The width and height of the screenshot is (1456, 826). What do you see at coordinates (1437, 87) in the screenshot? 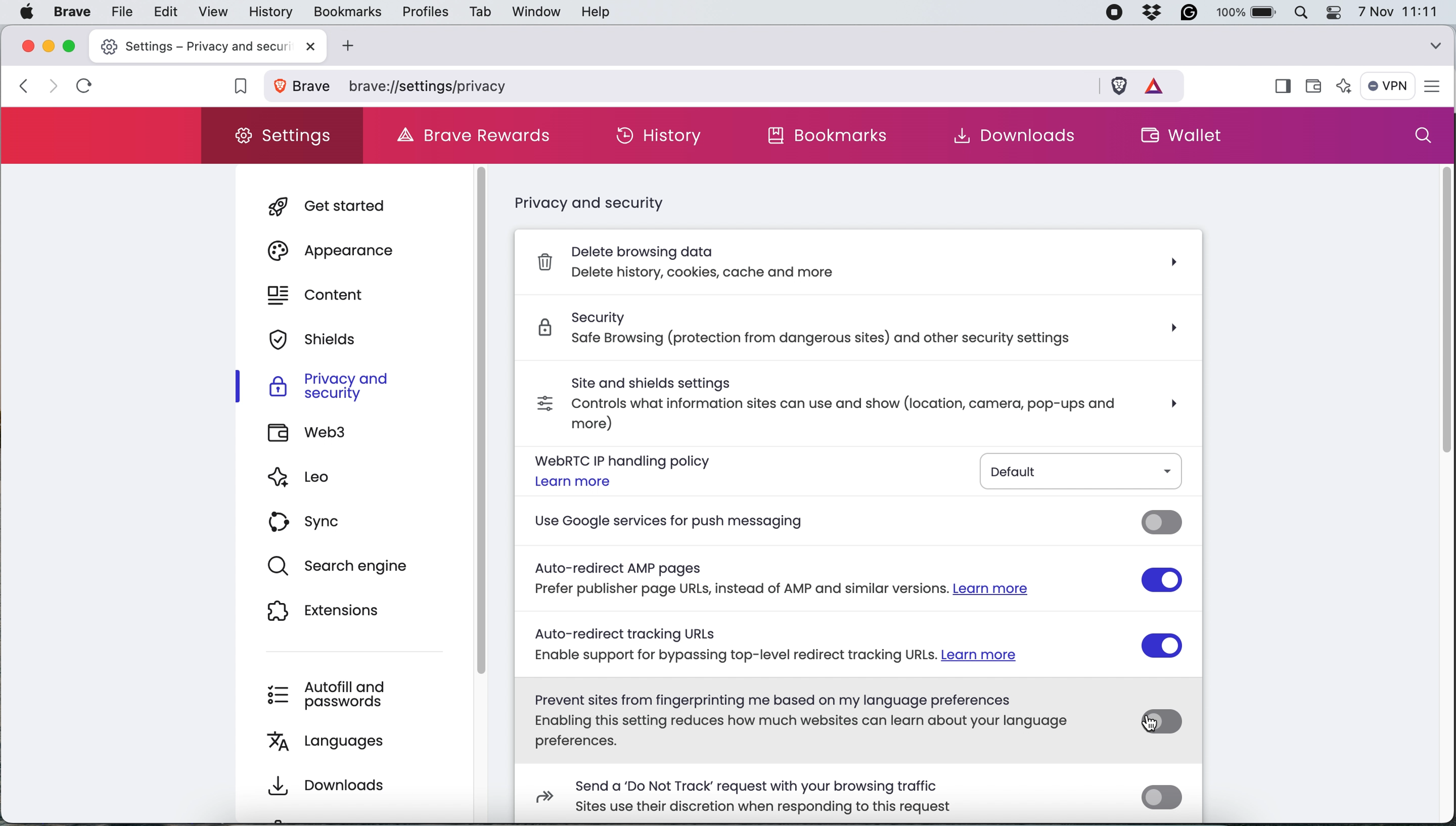
I see `settings` at bounding box center [1437, 87].